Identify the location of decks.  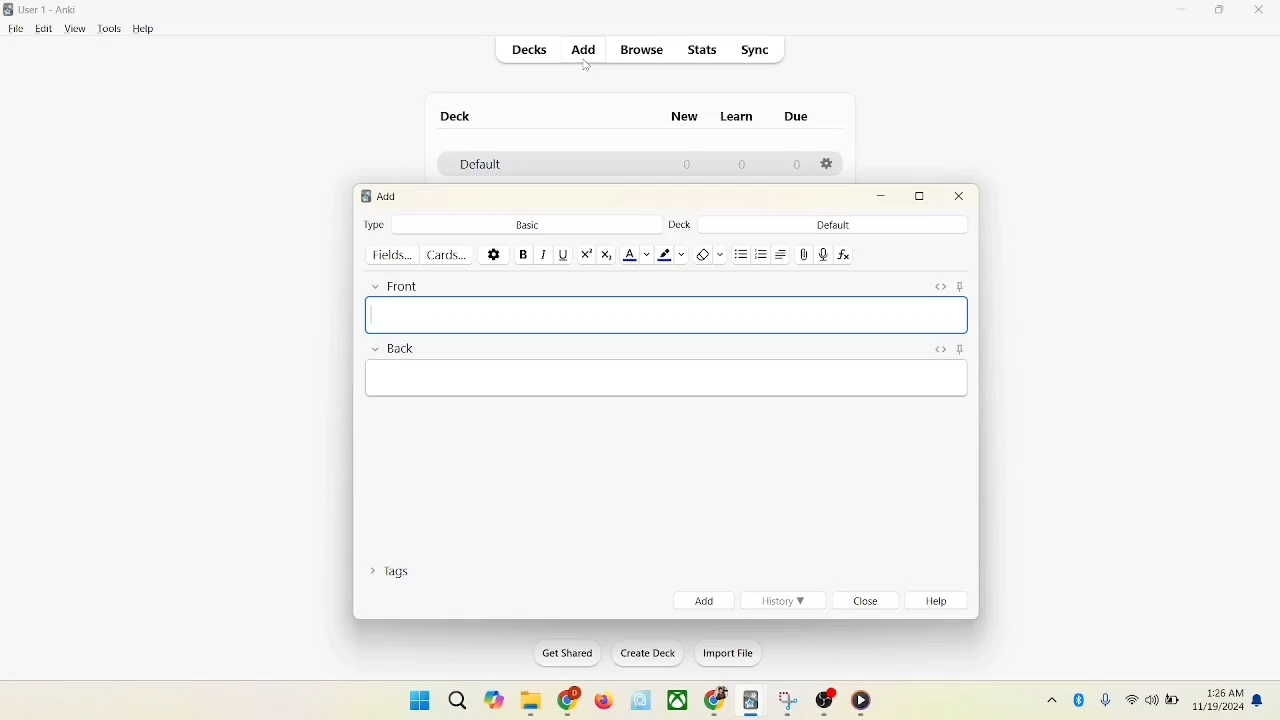
(531, 50).